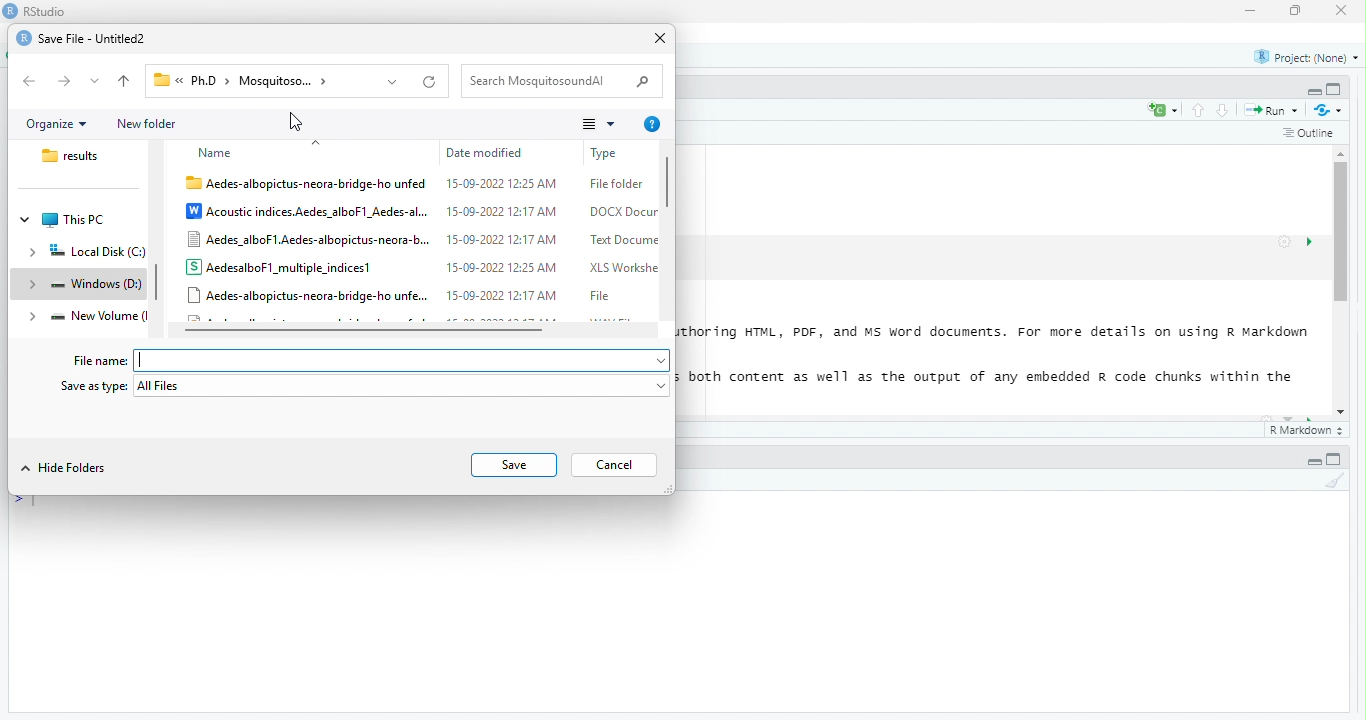 The width and height of the screenshot is (1366, 720). Describe the element at coordinates (74, 156) in the screenshot. I see `results` at that location.